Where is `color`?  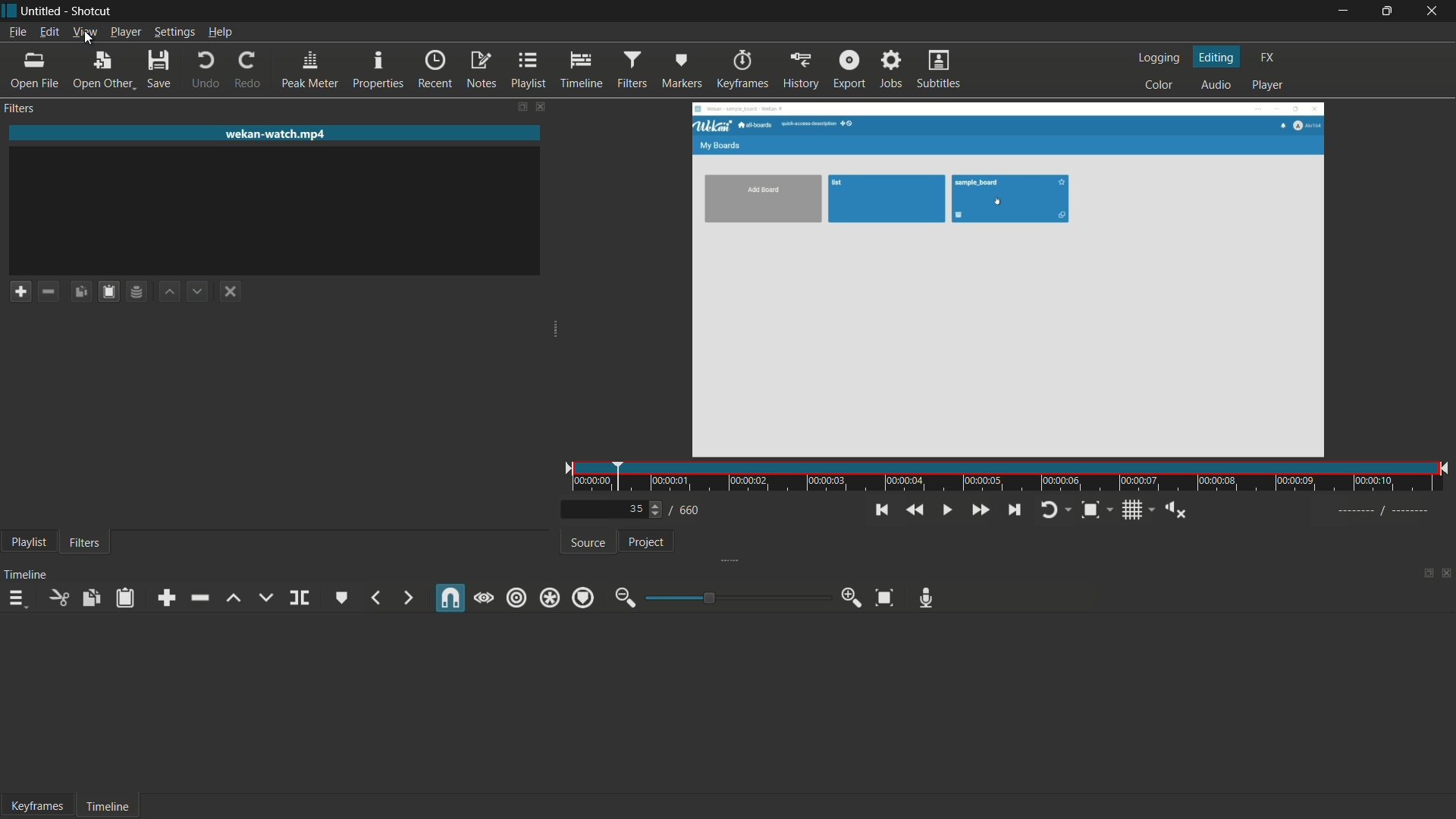
color is located at coordinates (1159, 86).